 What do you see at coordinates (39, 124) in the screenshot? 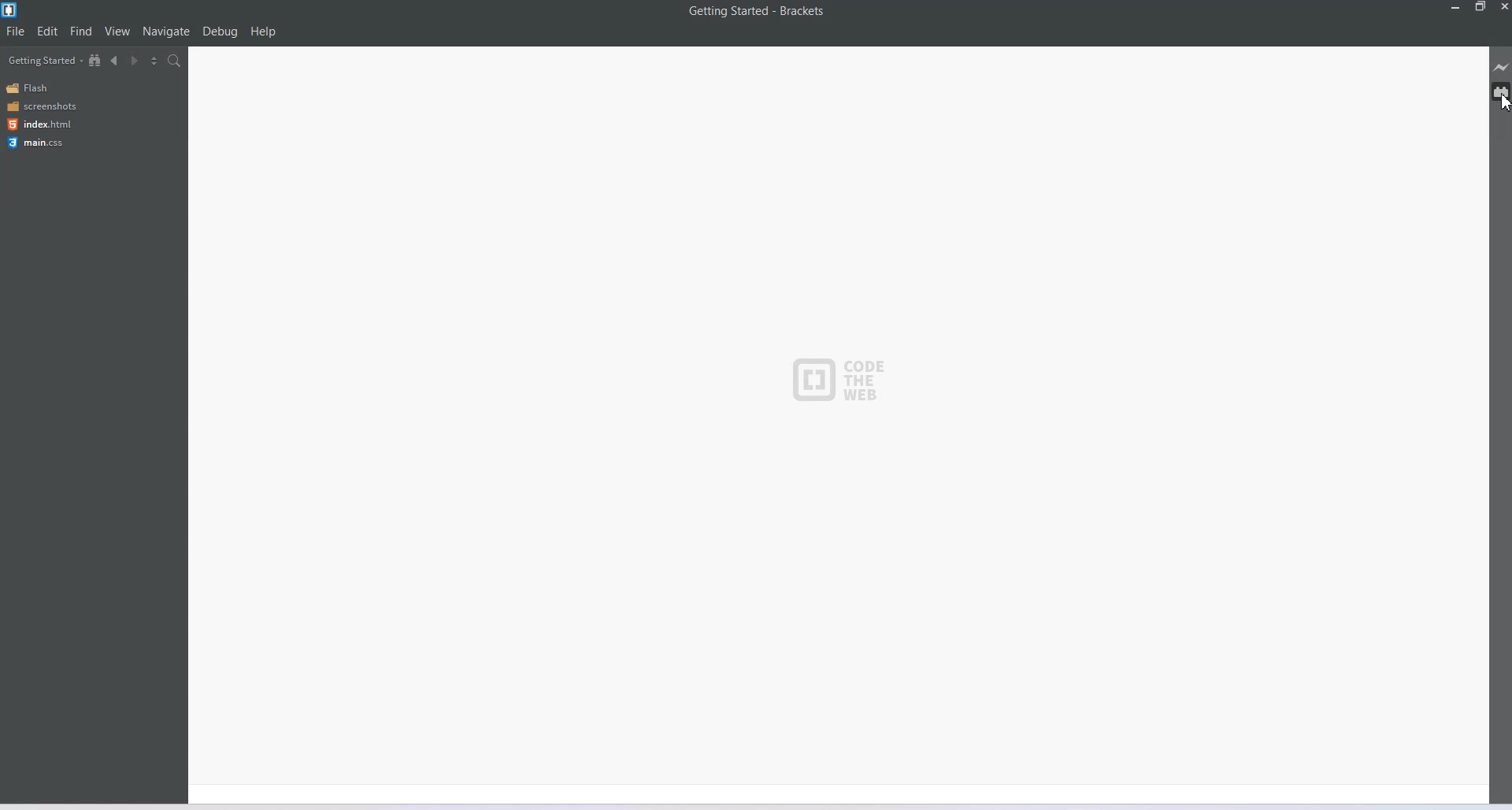
I see `index.html` at bounding box center [39, 124].